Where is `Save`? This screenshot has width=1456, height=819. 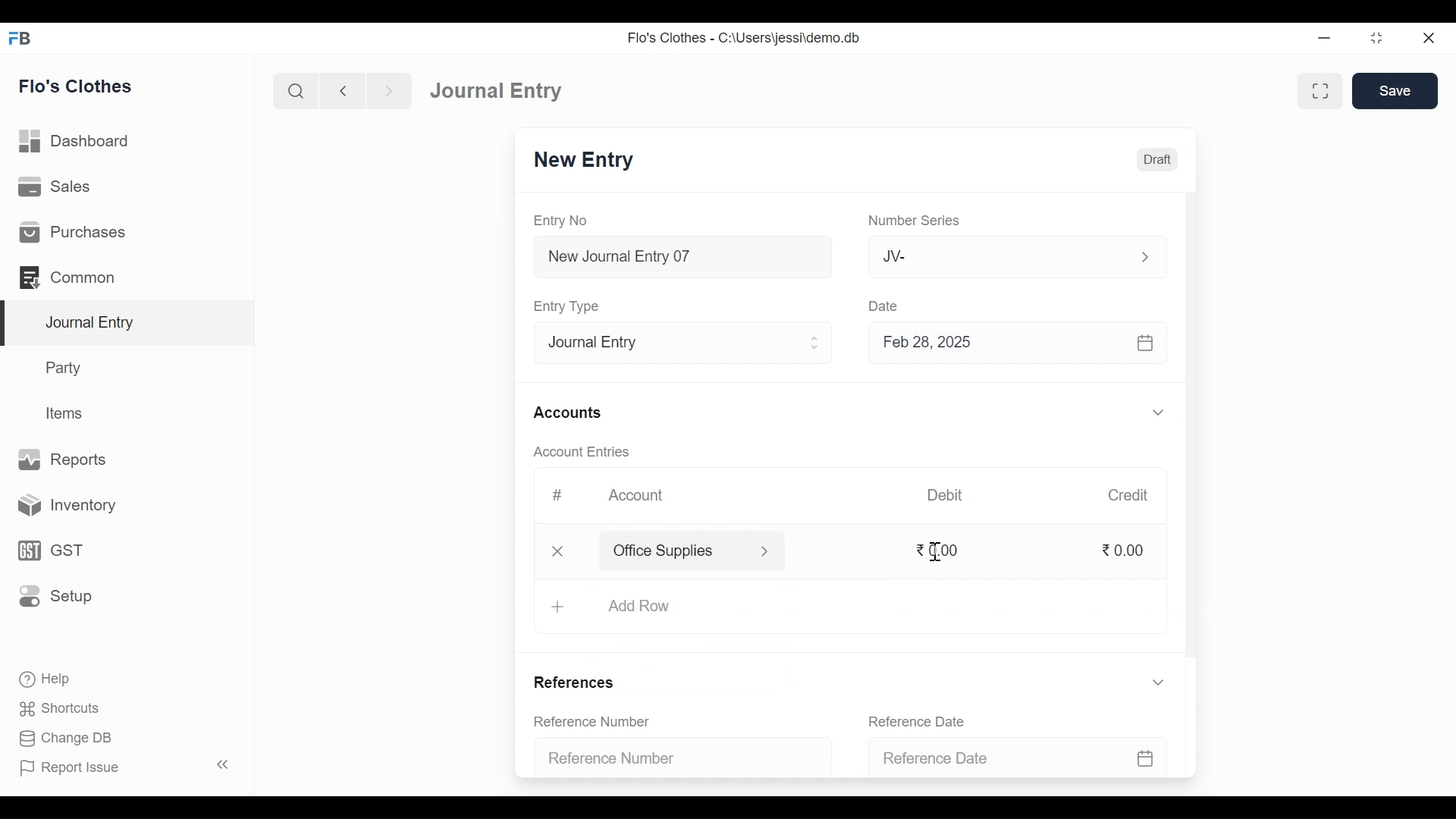 Save is located at coordinates (1395, 90).